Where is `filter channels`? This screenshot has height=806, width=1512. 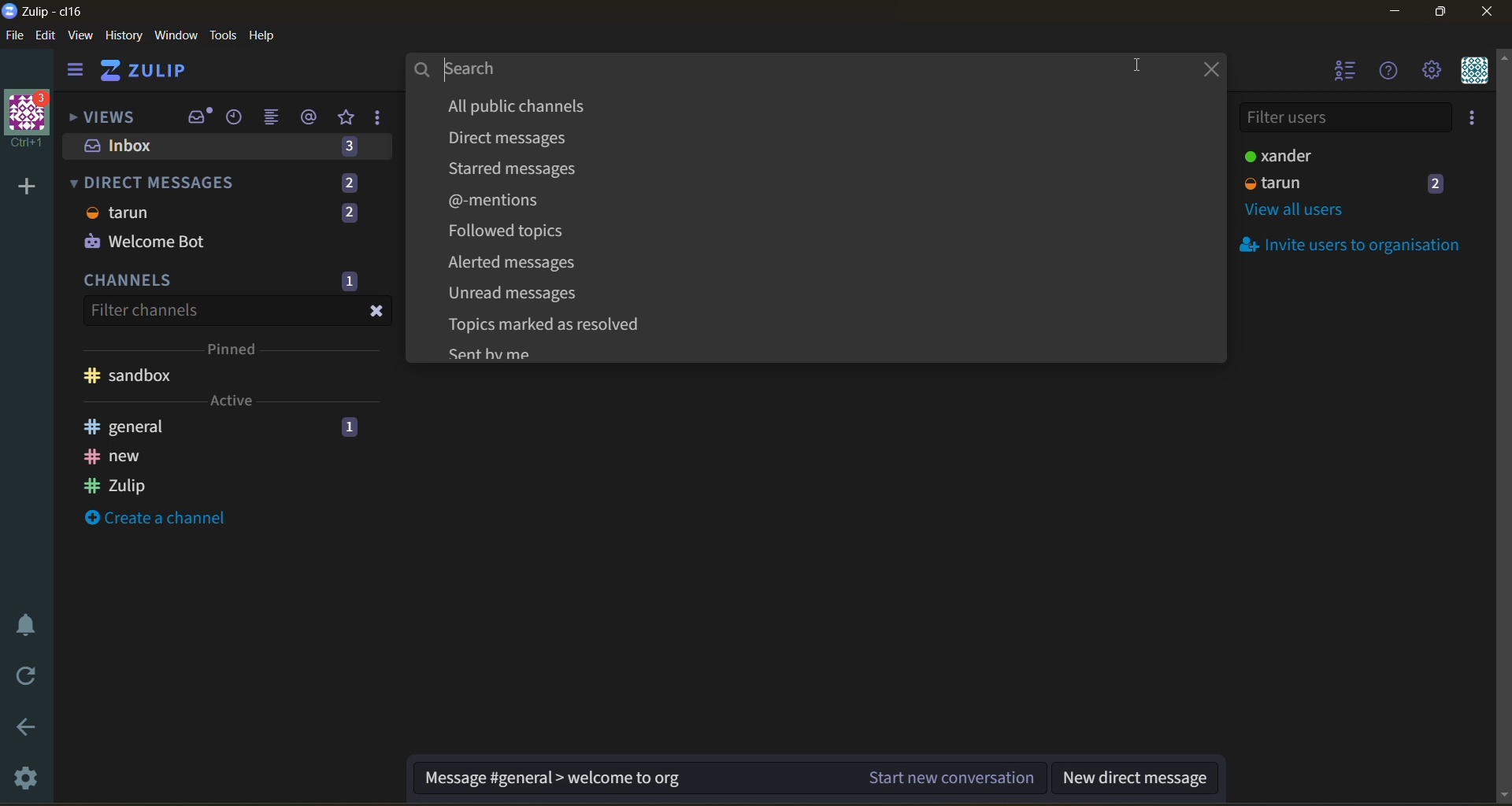
filter channels is located at coordinates (146, 312).